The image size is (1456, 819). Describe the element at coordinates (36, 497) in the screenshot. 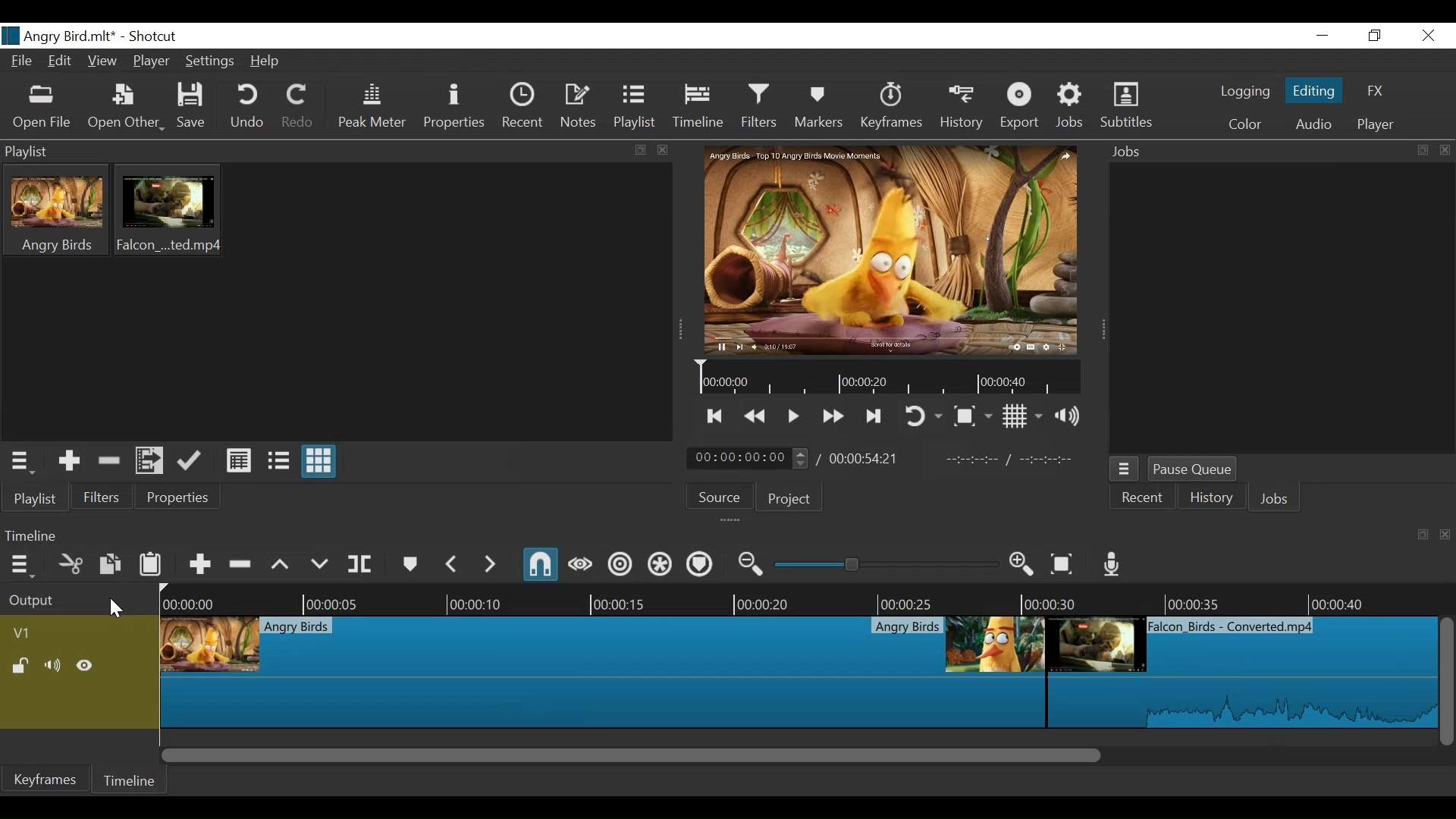

I see `Playlist ` at that location.